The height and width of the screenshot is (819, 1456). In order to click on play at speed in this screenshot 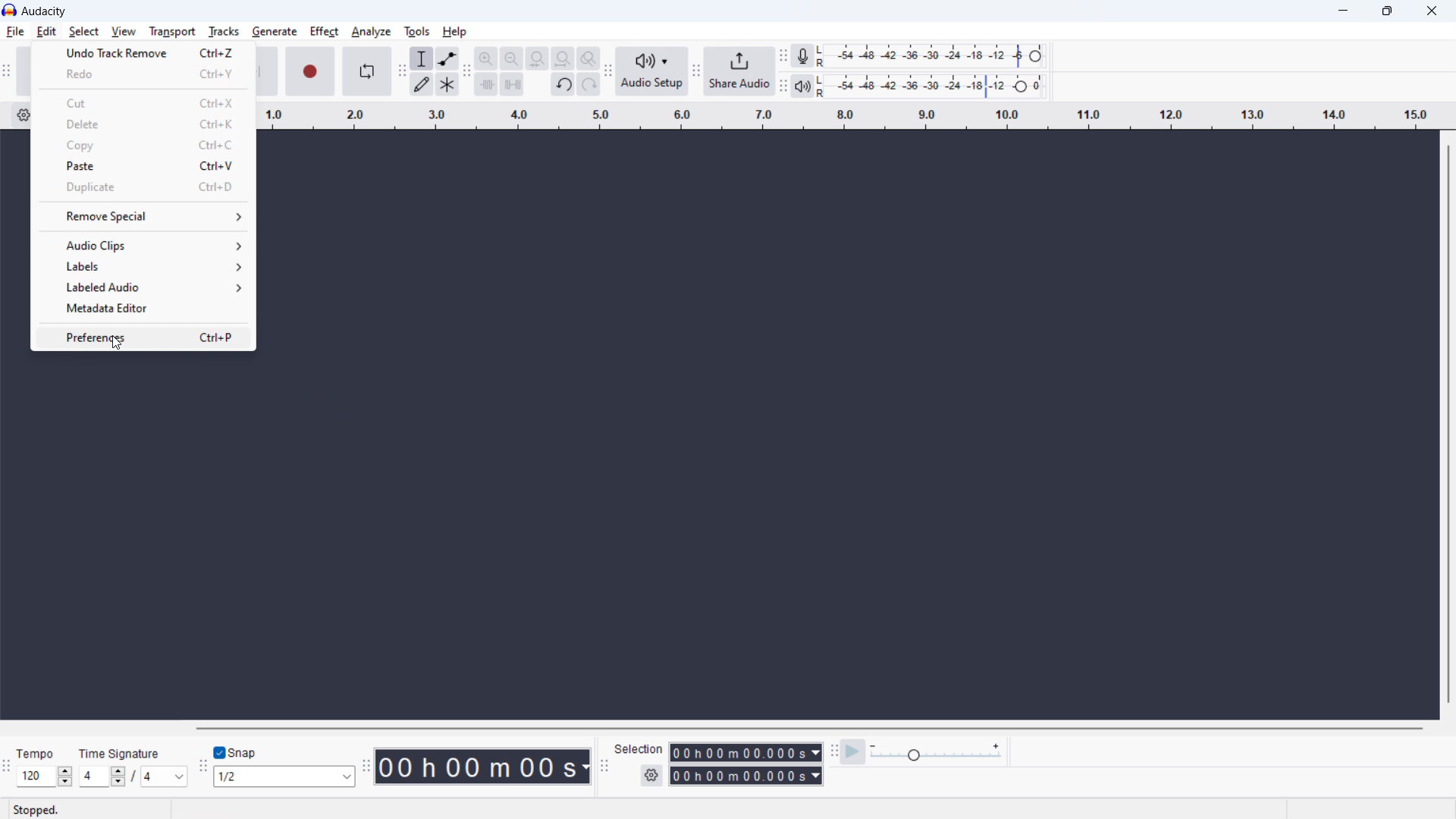, I will do `click(853, 752)`.